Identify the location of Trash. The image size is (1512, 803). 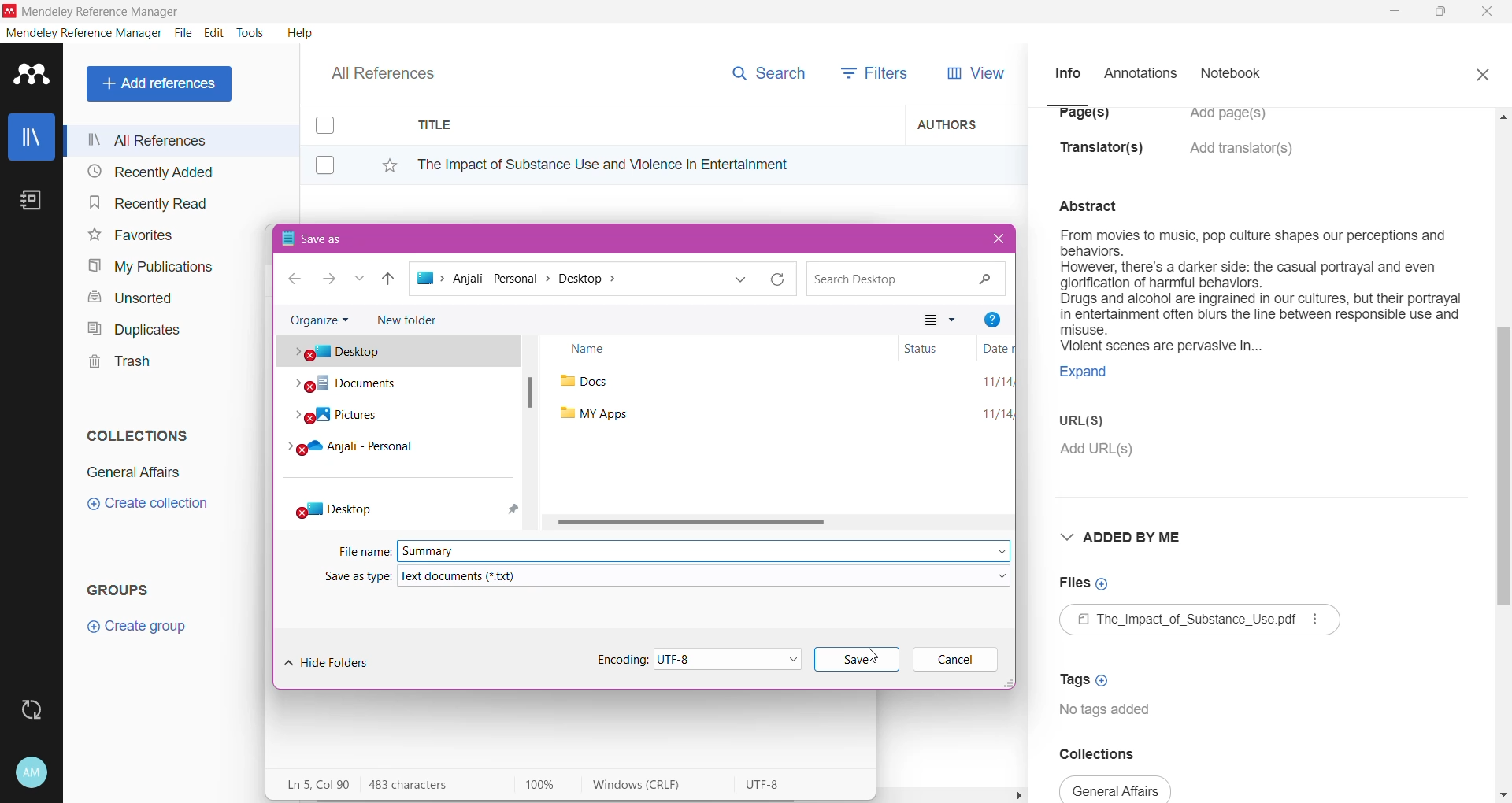
(115, 364).